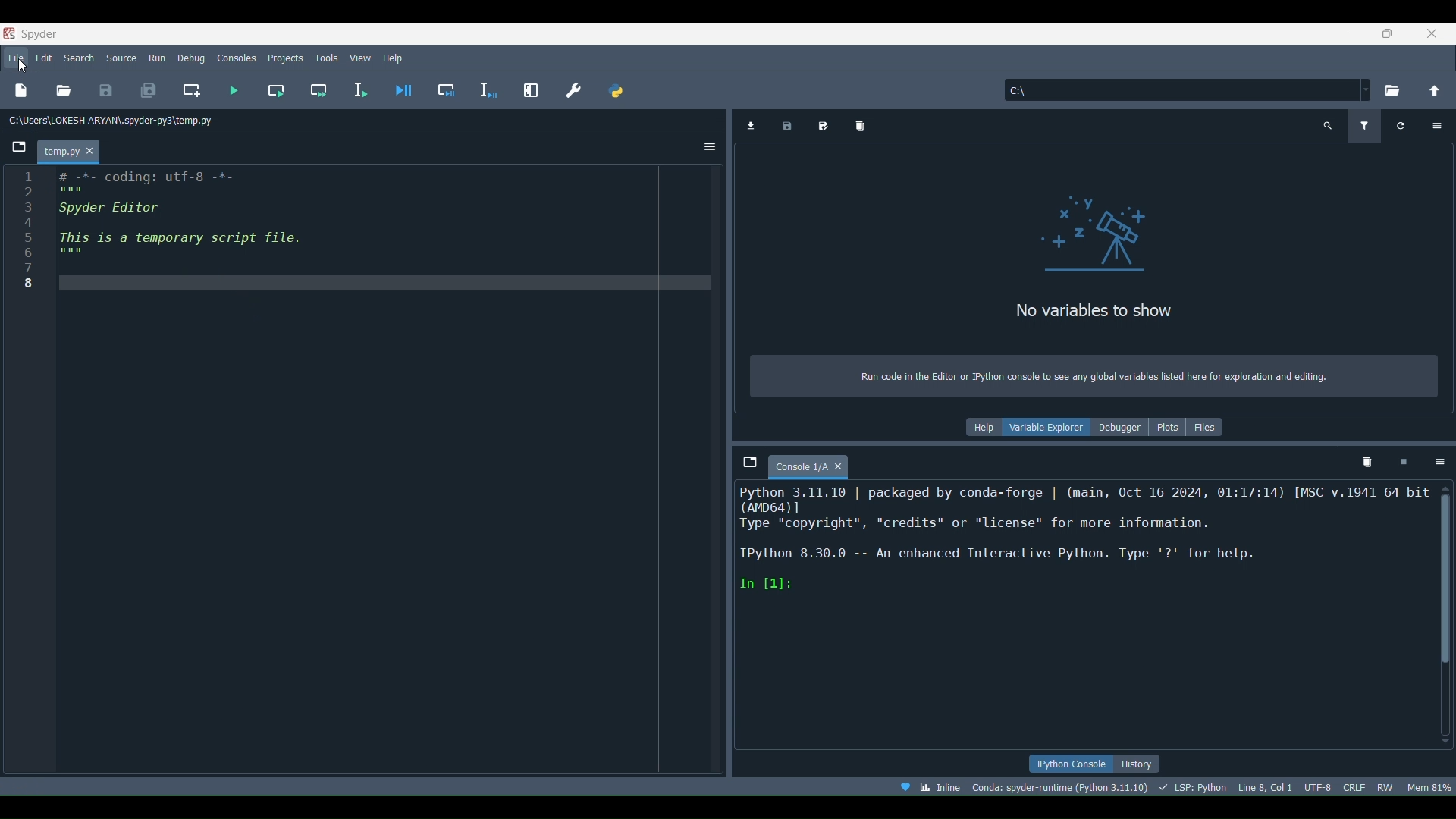 The image size is (1456, 819). I want to click on Options, so click(1441, 125).